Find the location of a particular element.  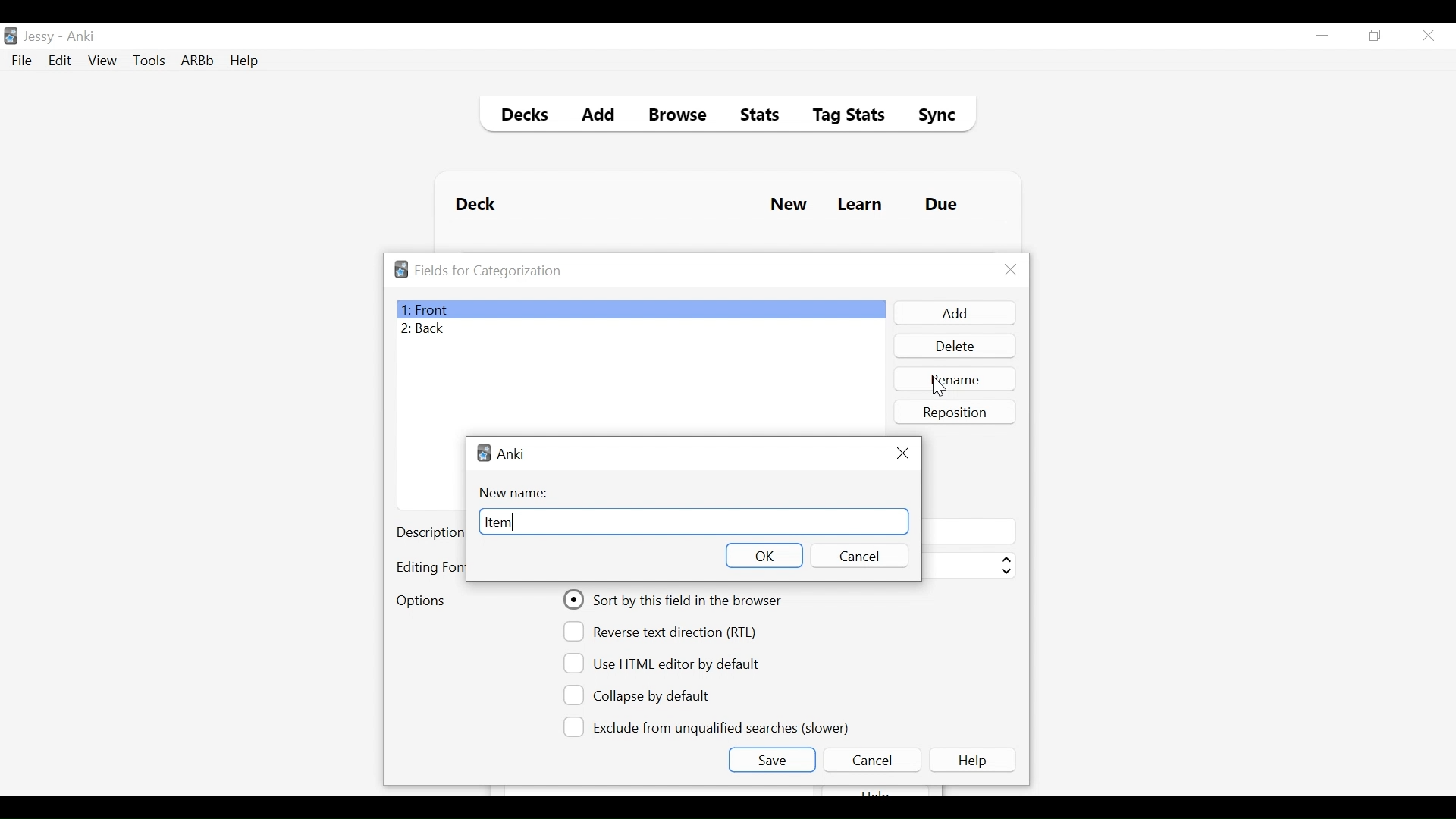

Help is located at coordinates (975, 760).